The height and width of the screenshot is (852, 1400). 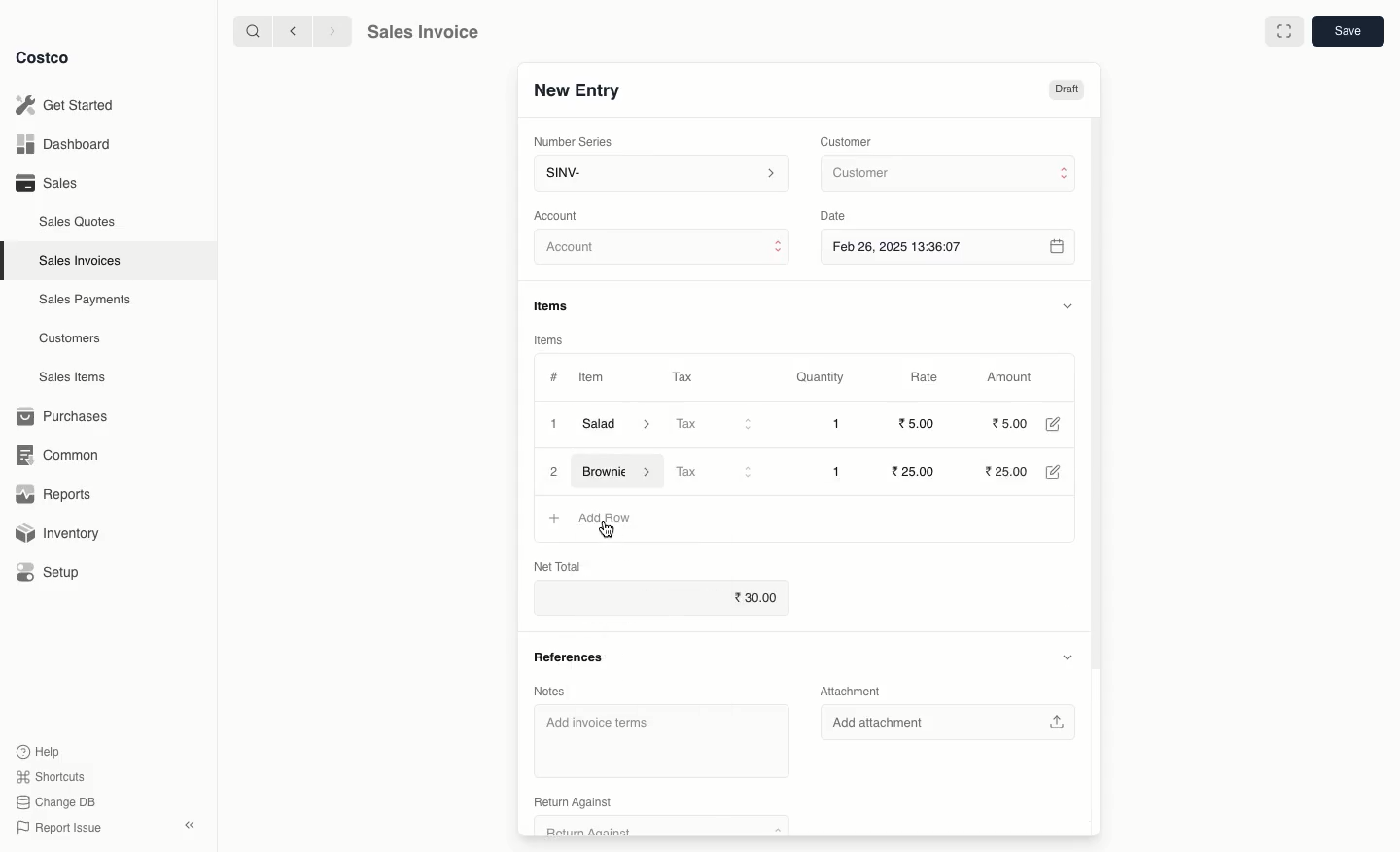 I want to click on Item, so click(x=594, y=379).